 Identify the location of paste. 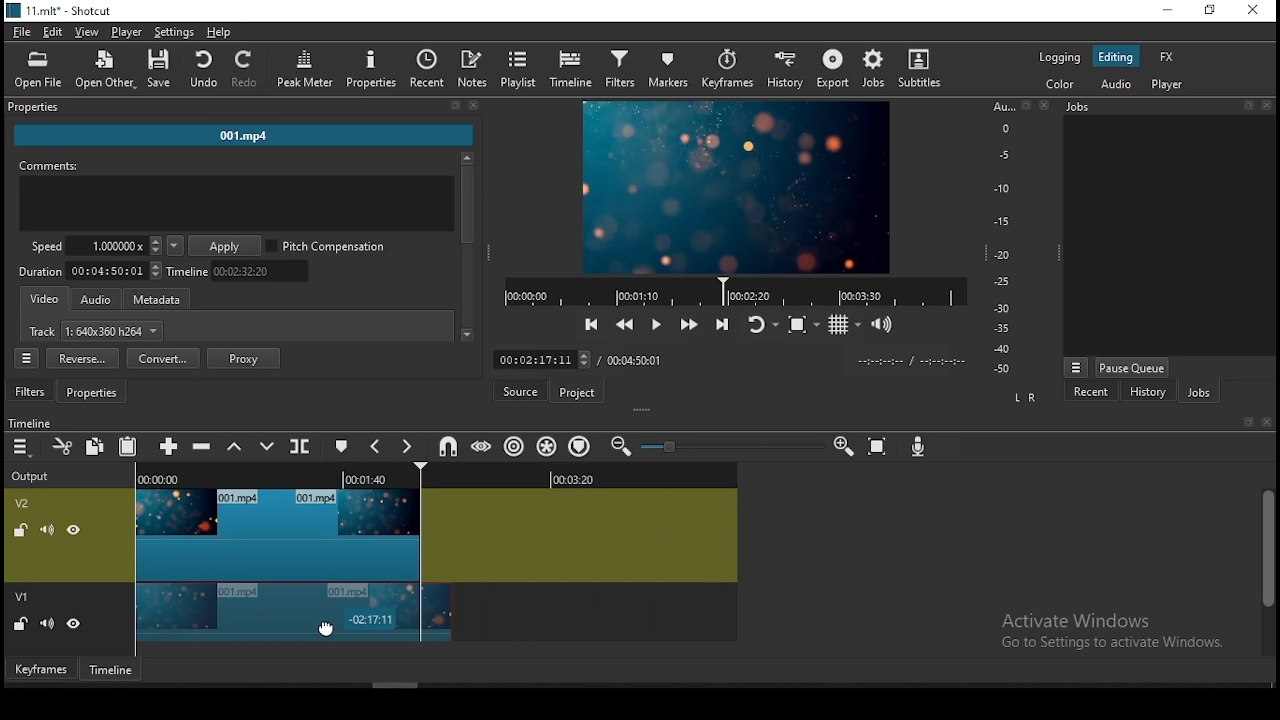
(127, 449).